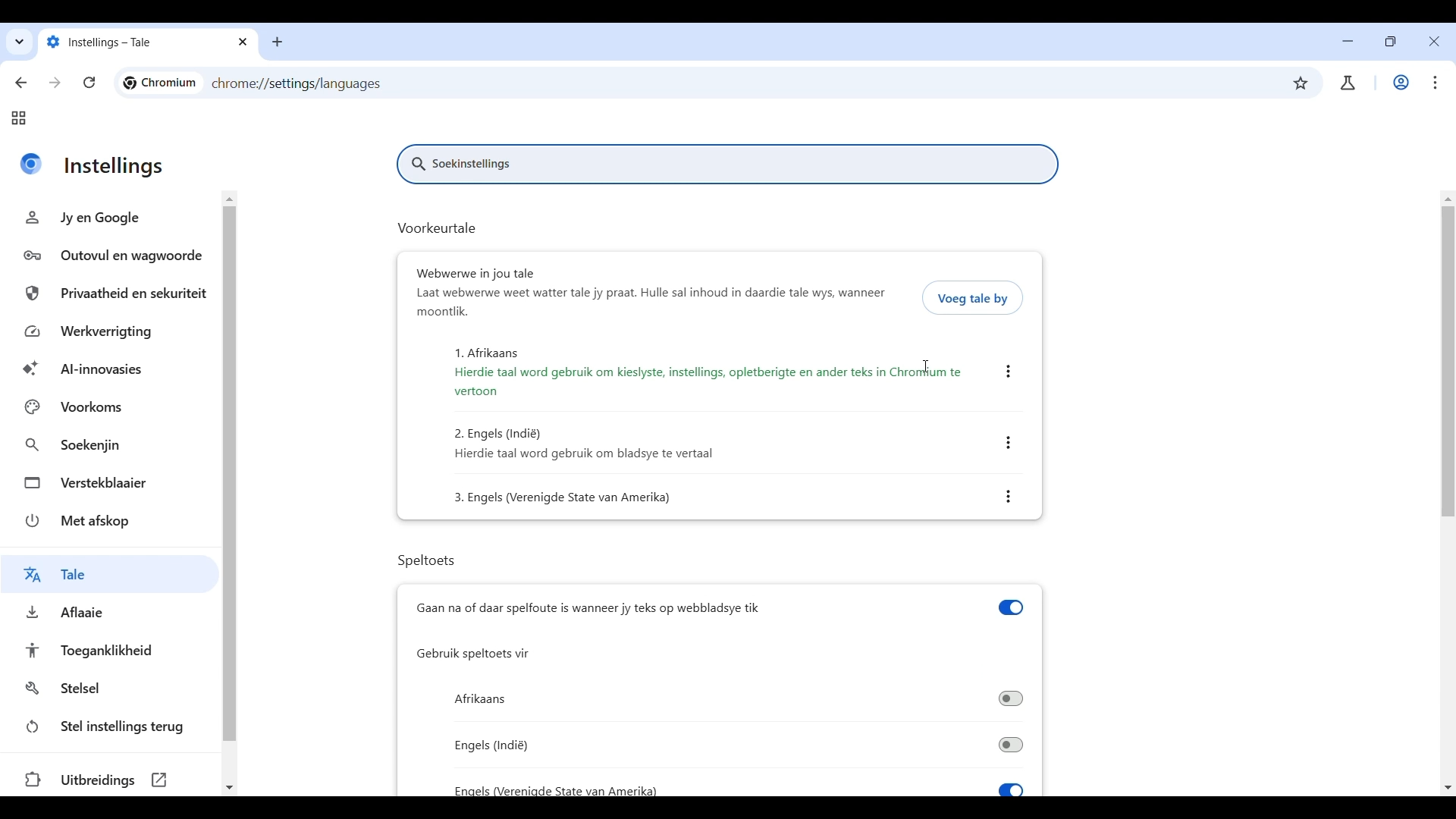 This screenshot has height=819, width=1456. What do you see at coordinates (480, 274) in the screenshot?
I see `Webwerwe in jou tale` at bounding box center [480, 274].